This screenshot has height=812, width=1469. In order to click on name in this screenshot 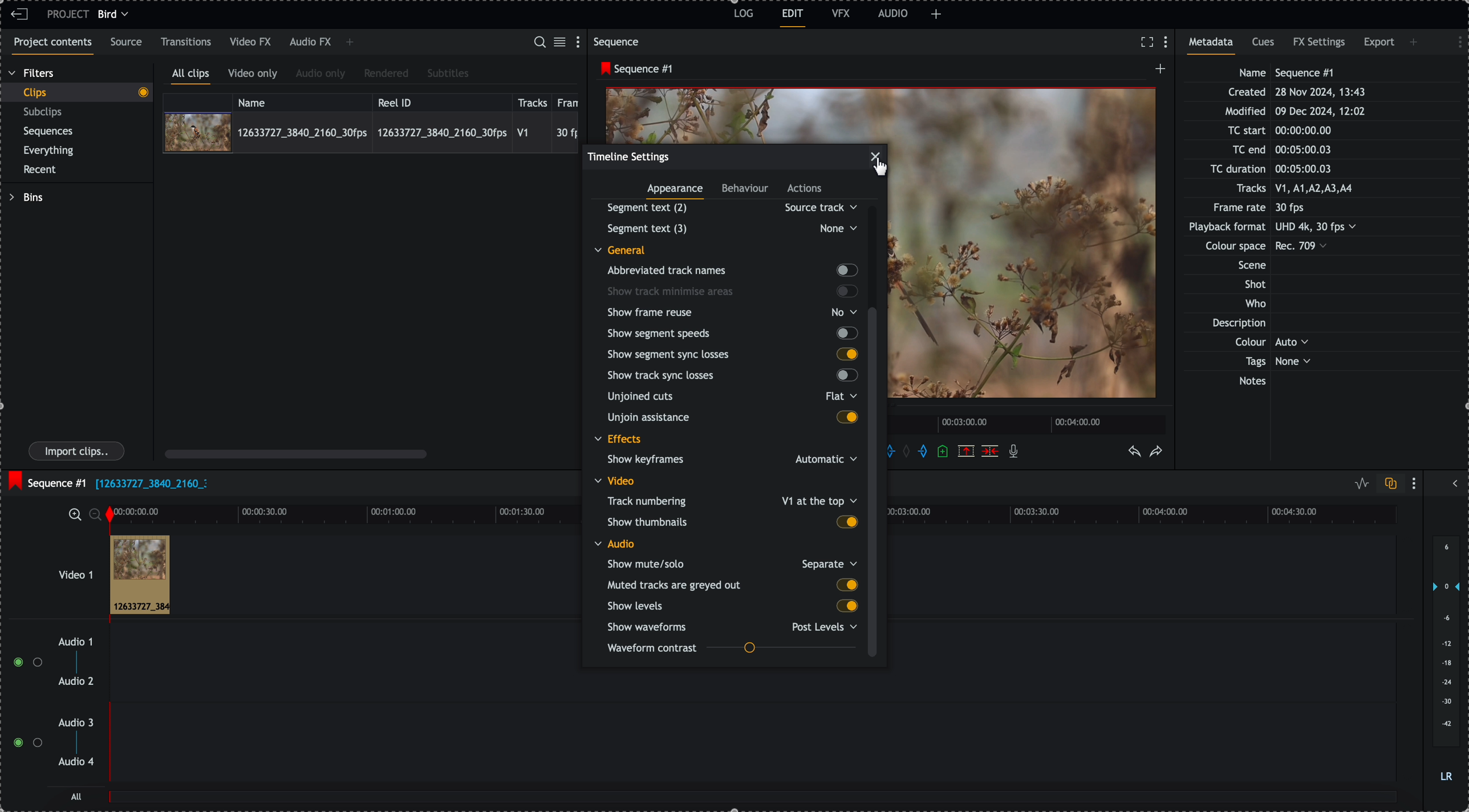, I will do `click(302, 101)`.